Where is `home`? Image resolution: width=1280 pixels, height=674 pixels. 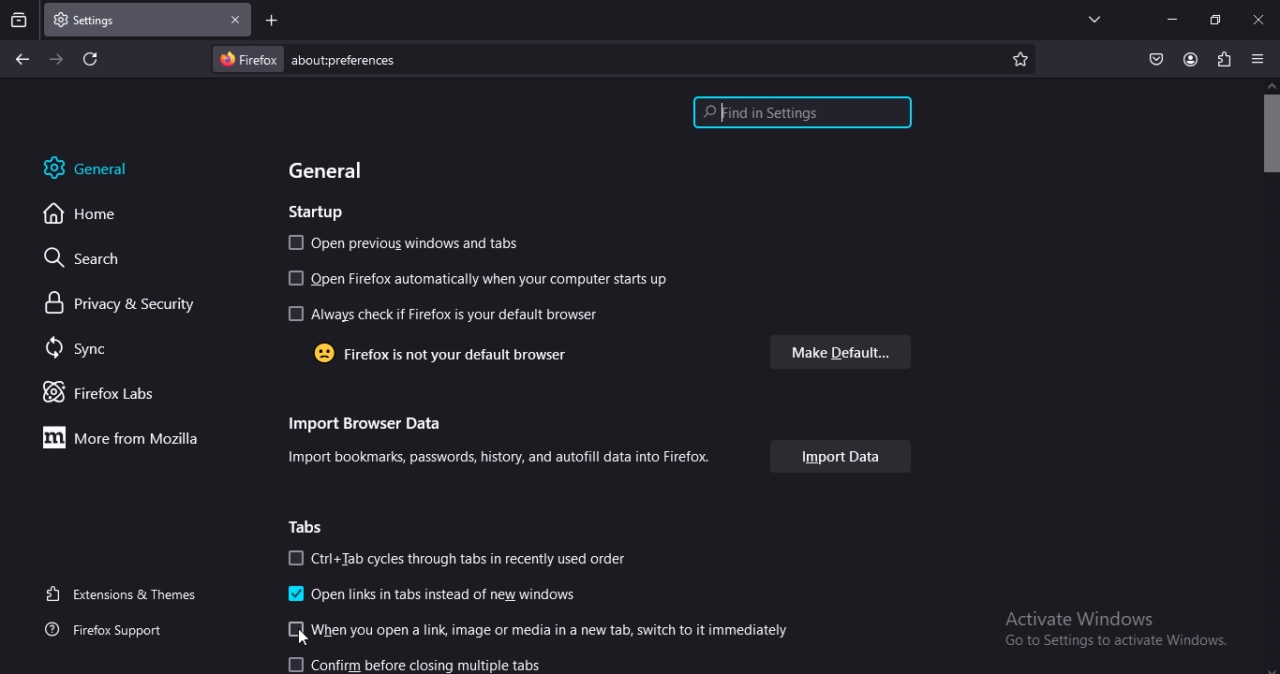
home is located at coordinates (86, 217).